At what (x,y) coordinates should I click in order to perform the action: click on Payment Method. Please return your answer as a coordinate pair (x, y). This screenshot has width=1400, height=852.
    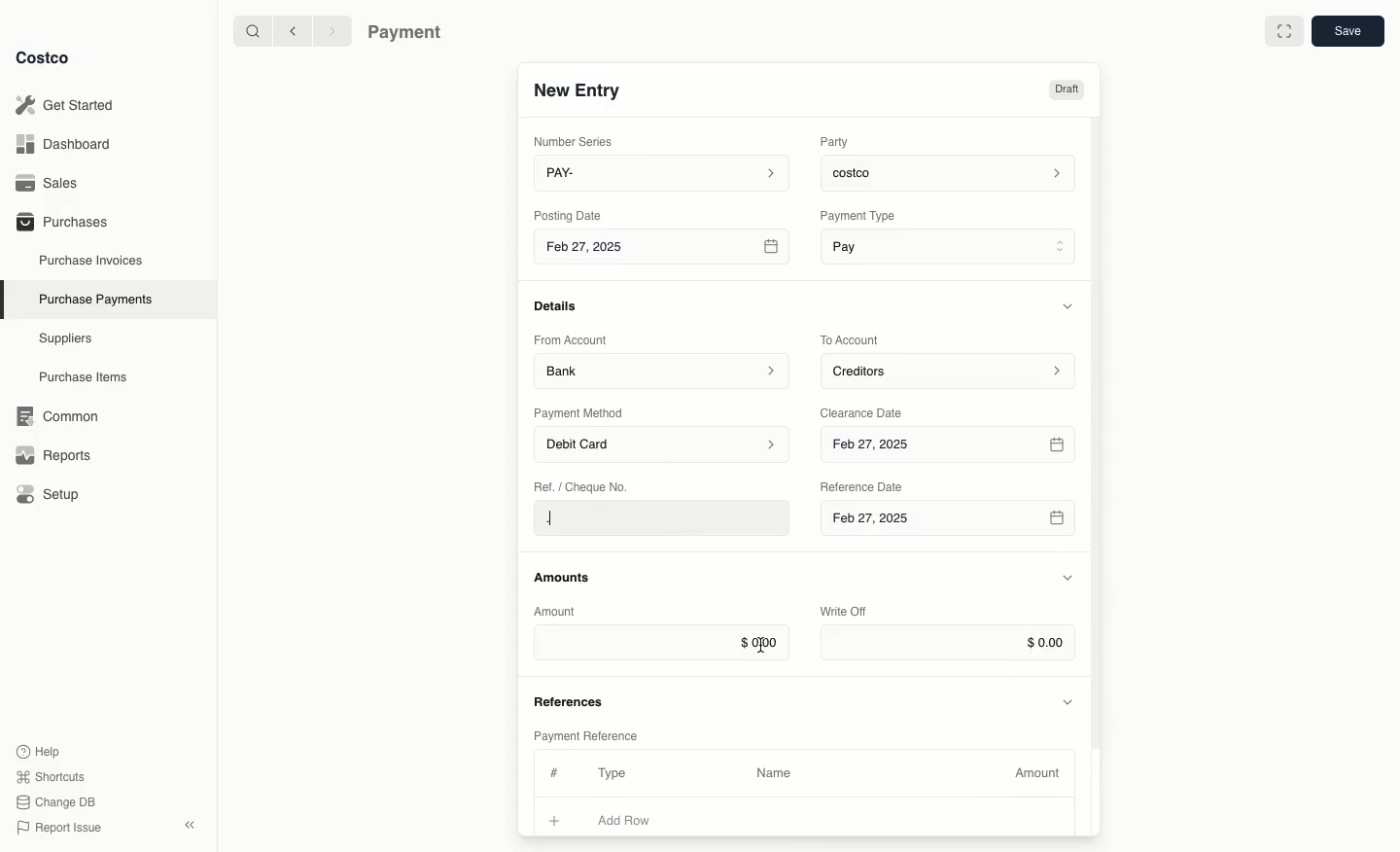
    Looking at the image, I should click on (580, 412).